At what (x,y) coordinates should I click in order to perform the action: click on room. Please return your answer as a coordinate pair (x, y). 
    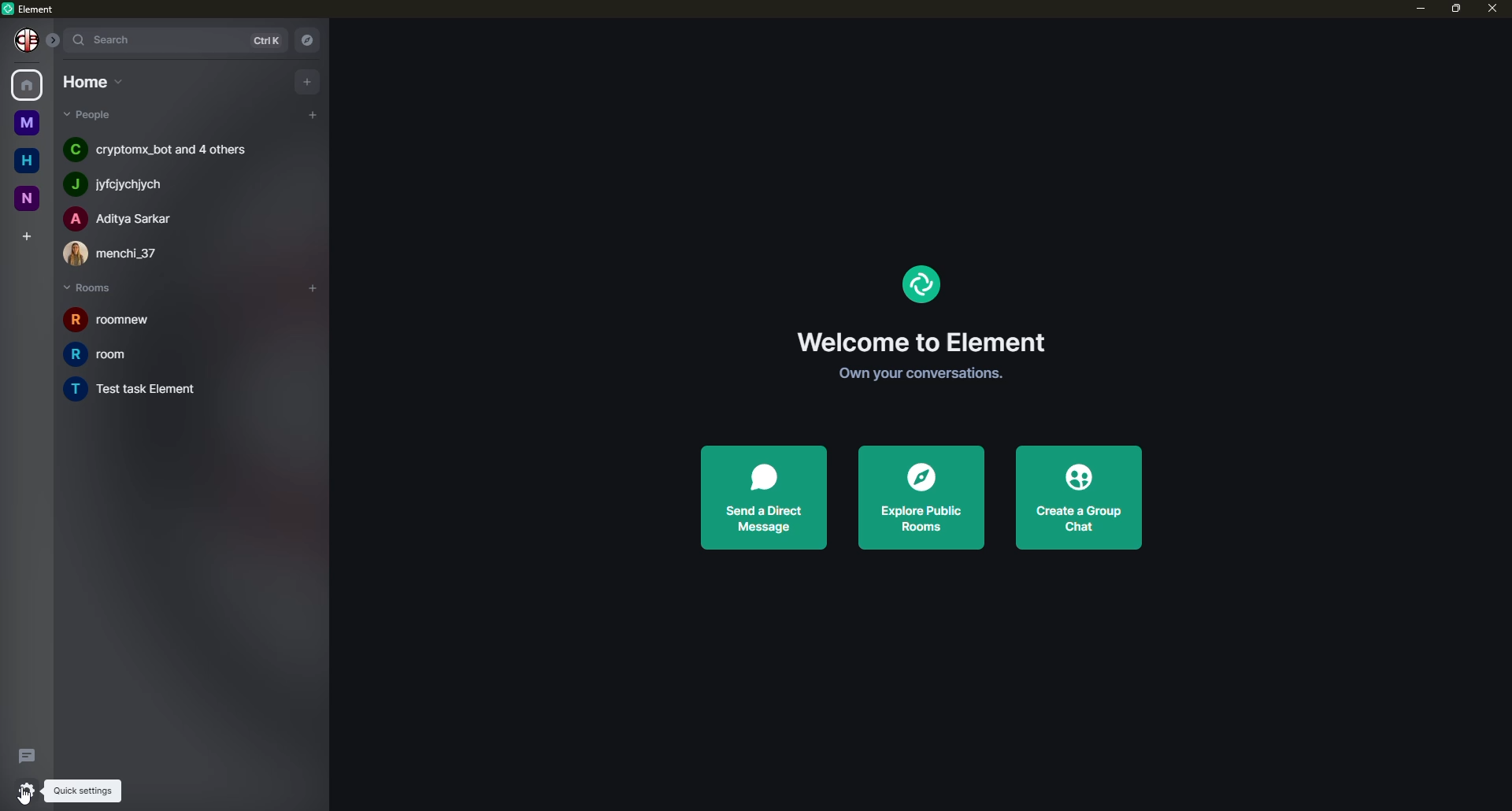
    Looking at the image, I should click on (147, 390).